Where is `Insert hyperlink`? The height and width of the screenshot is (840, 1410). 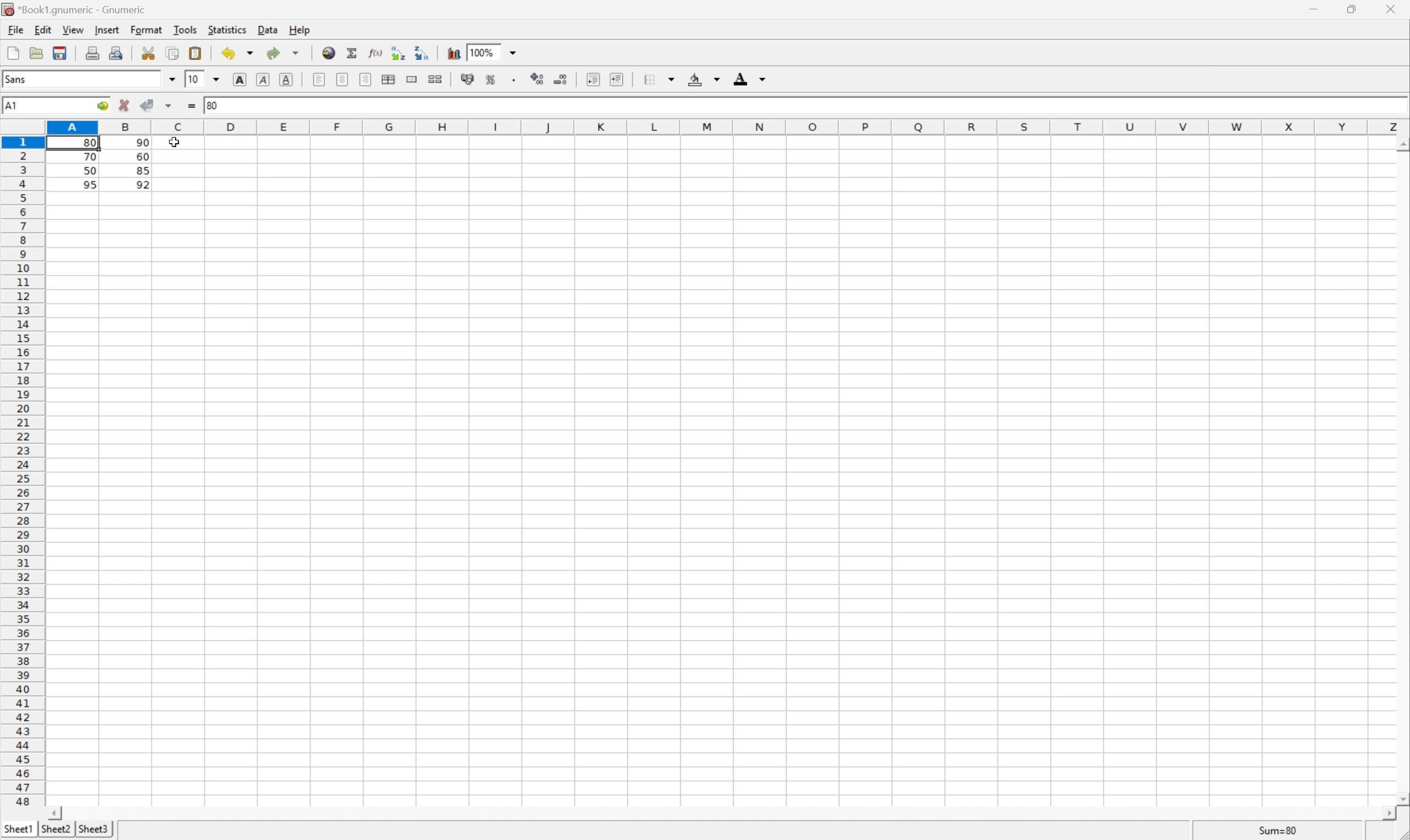 Insert hyperlink is located at coordinates (329, 51).